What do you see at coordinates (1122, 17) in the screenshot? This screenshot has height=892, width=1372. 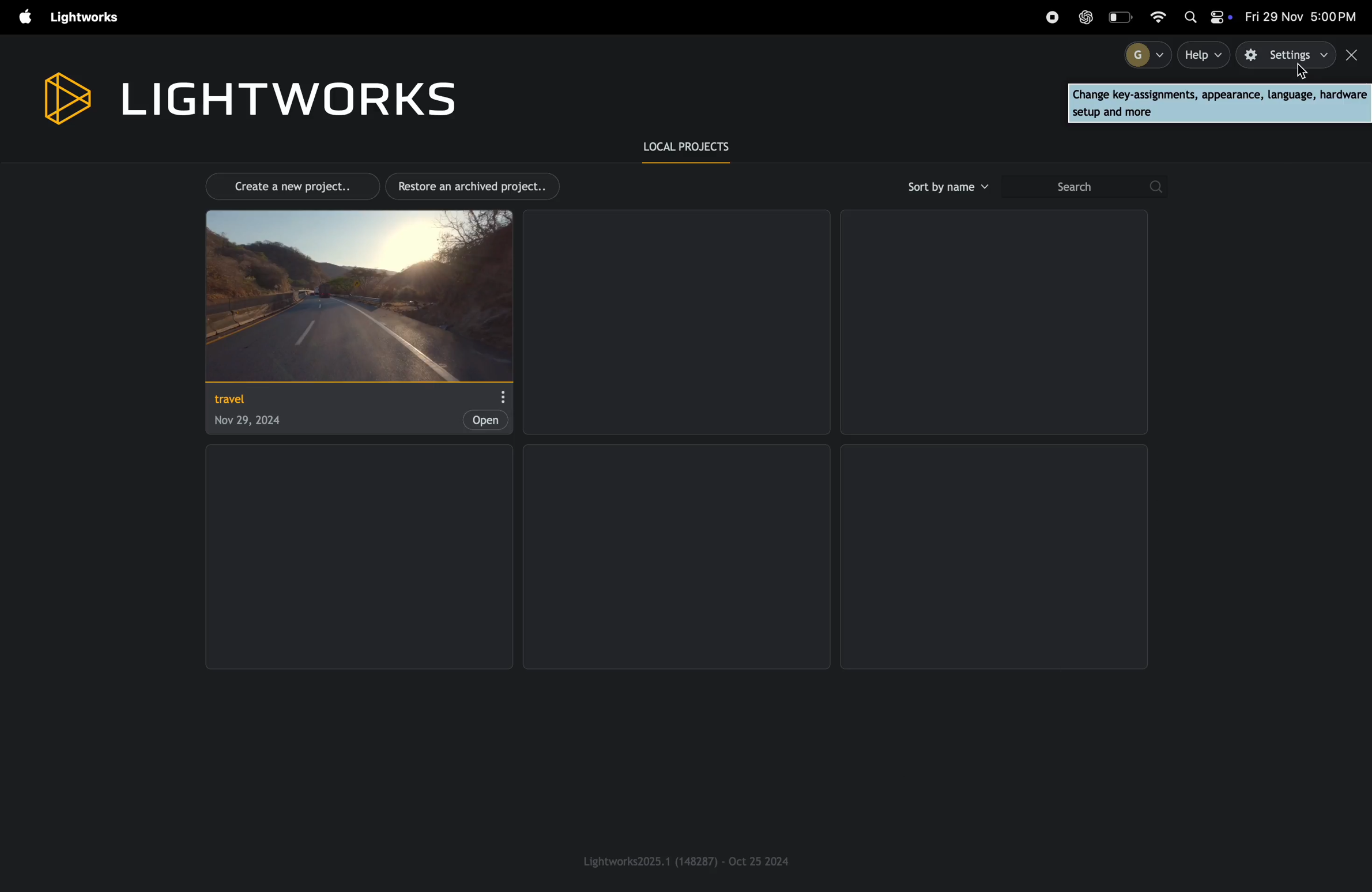 I see `battery` at bounding box center [1122, 17].